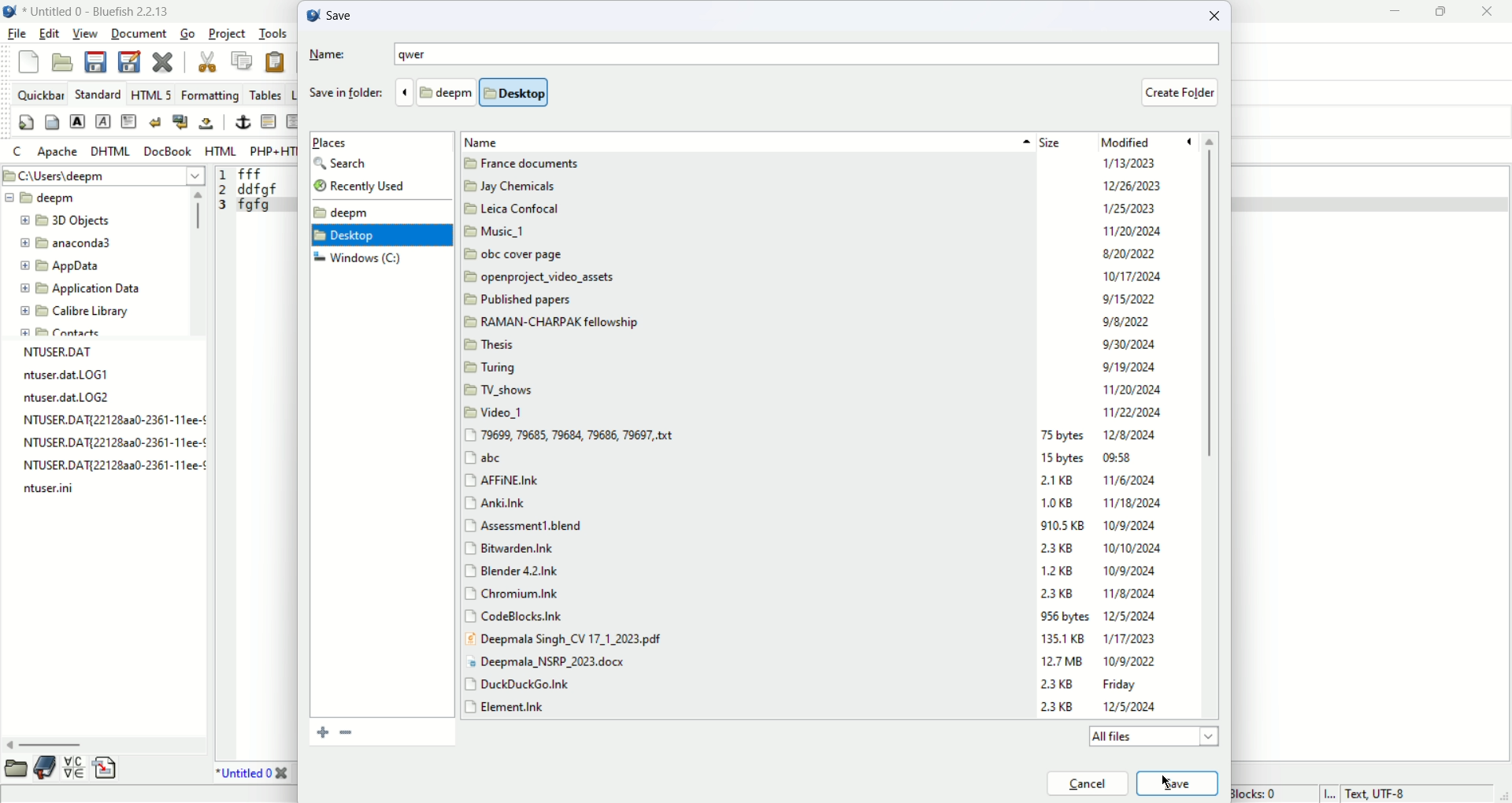 This screenshot has height=803, width=1512. I want to click on paragraph, so click(131, 120).